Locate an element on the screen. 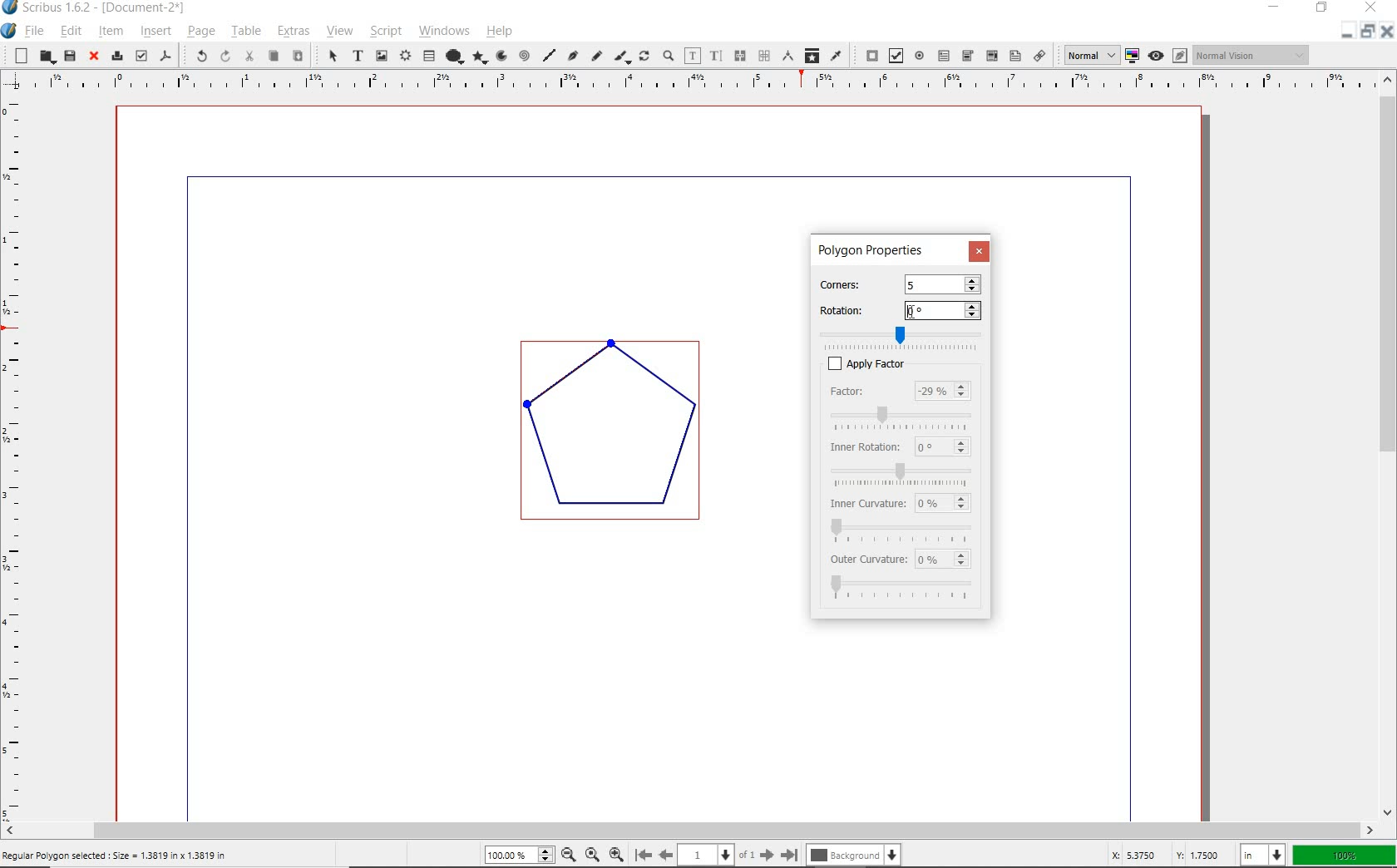  shape is located at coordinates (456, 54).